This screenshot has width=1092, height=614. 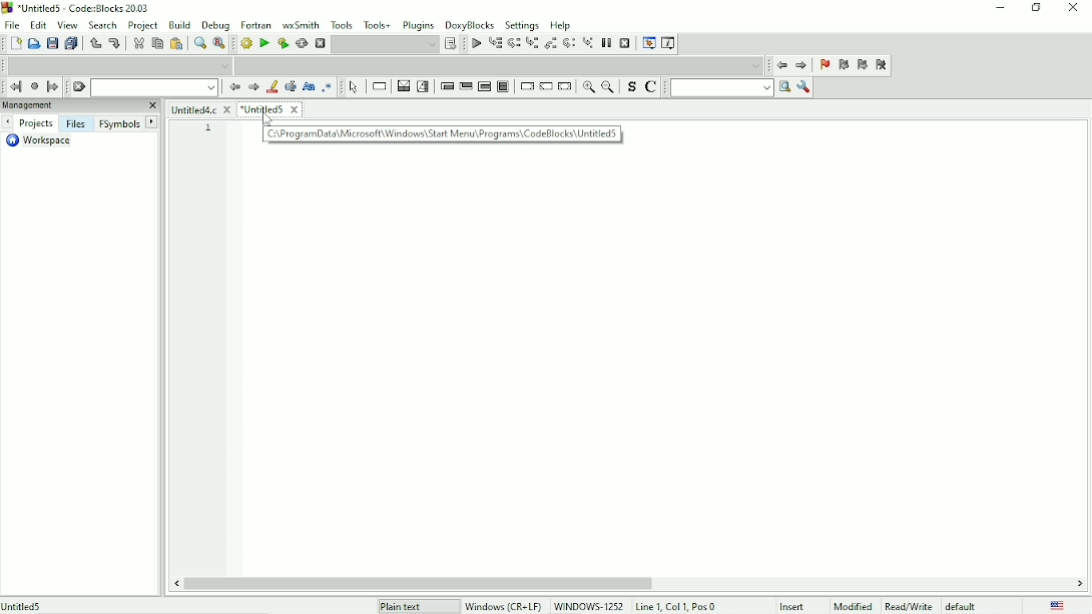 I want to click on Selection, so click(x=423, y=87).